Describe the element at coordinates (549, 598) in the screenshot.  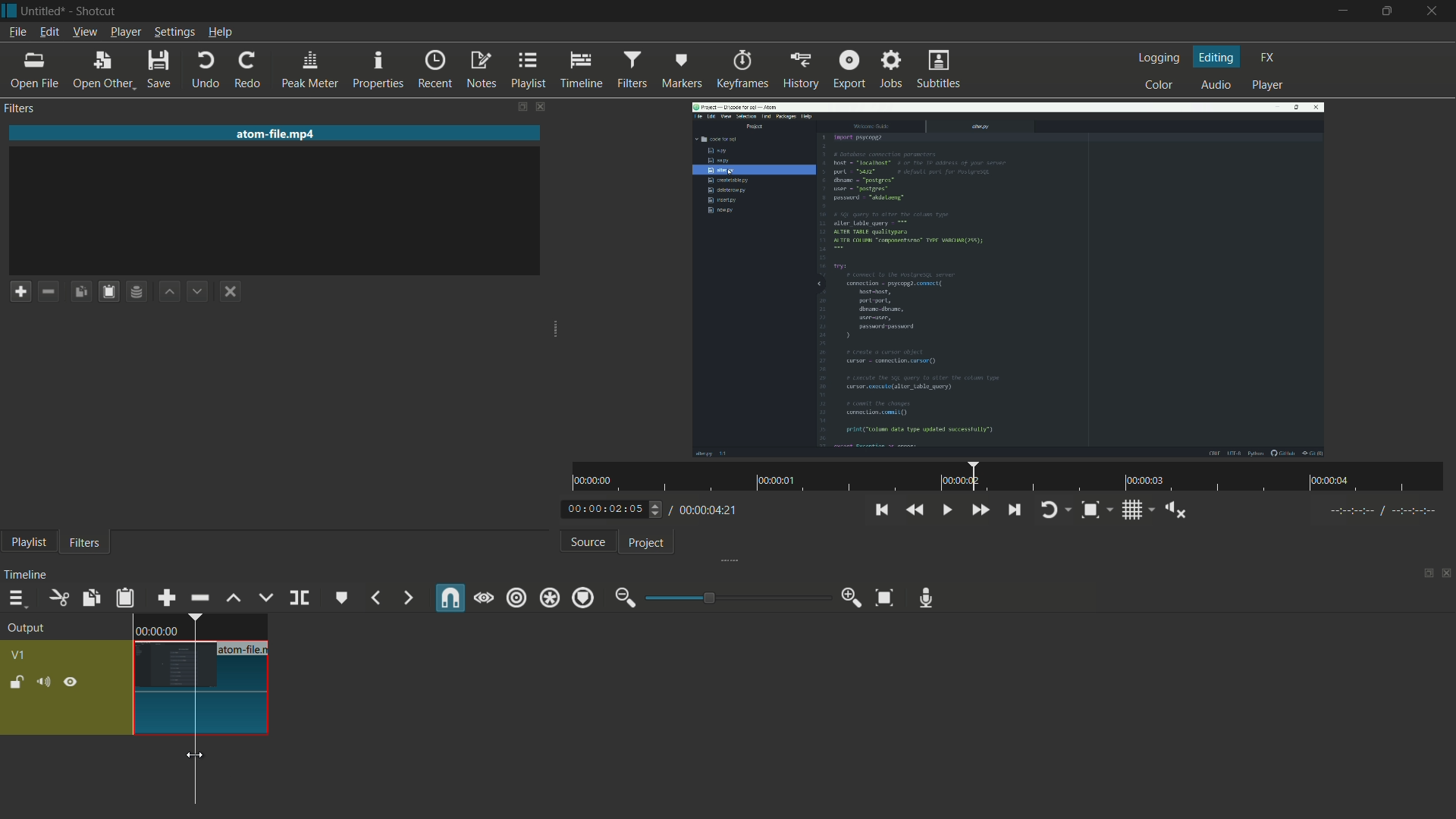
I see `ripple all tracks` at that location.